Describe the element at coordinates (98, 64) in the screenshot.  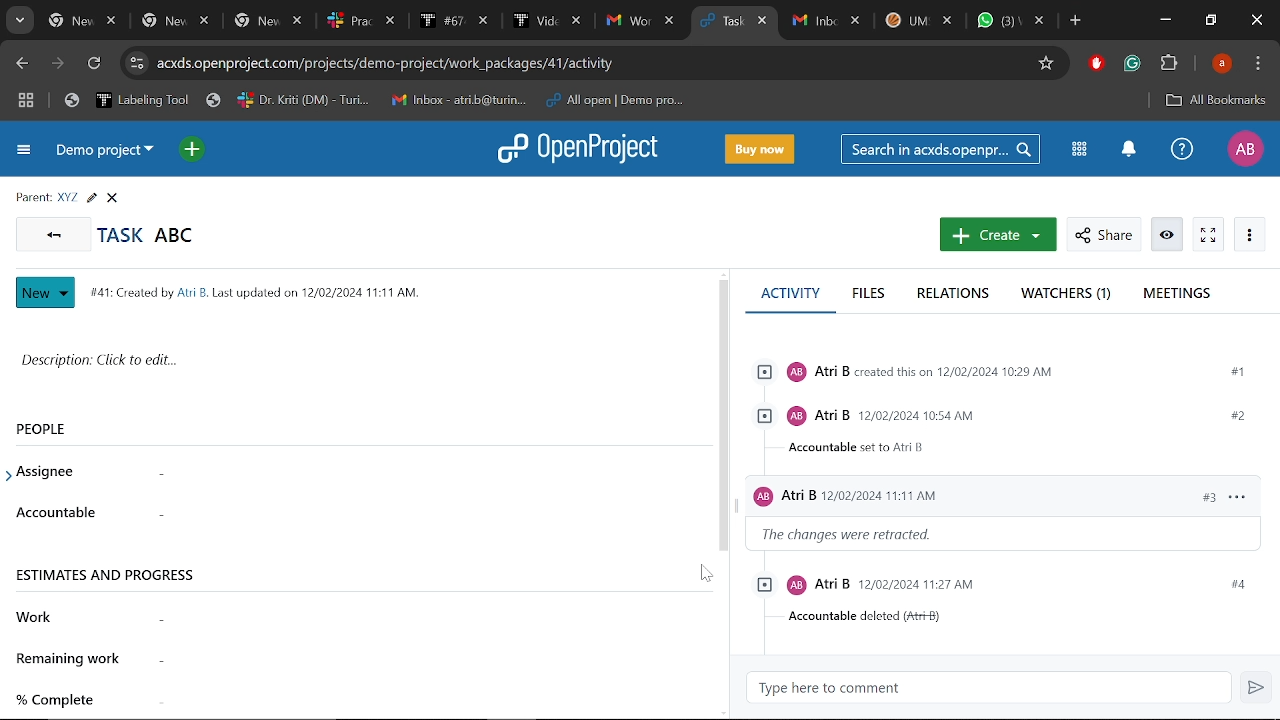
I see `Refresh` at that location.